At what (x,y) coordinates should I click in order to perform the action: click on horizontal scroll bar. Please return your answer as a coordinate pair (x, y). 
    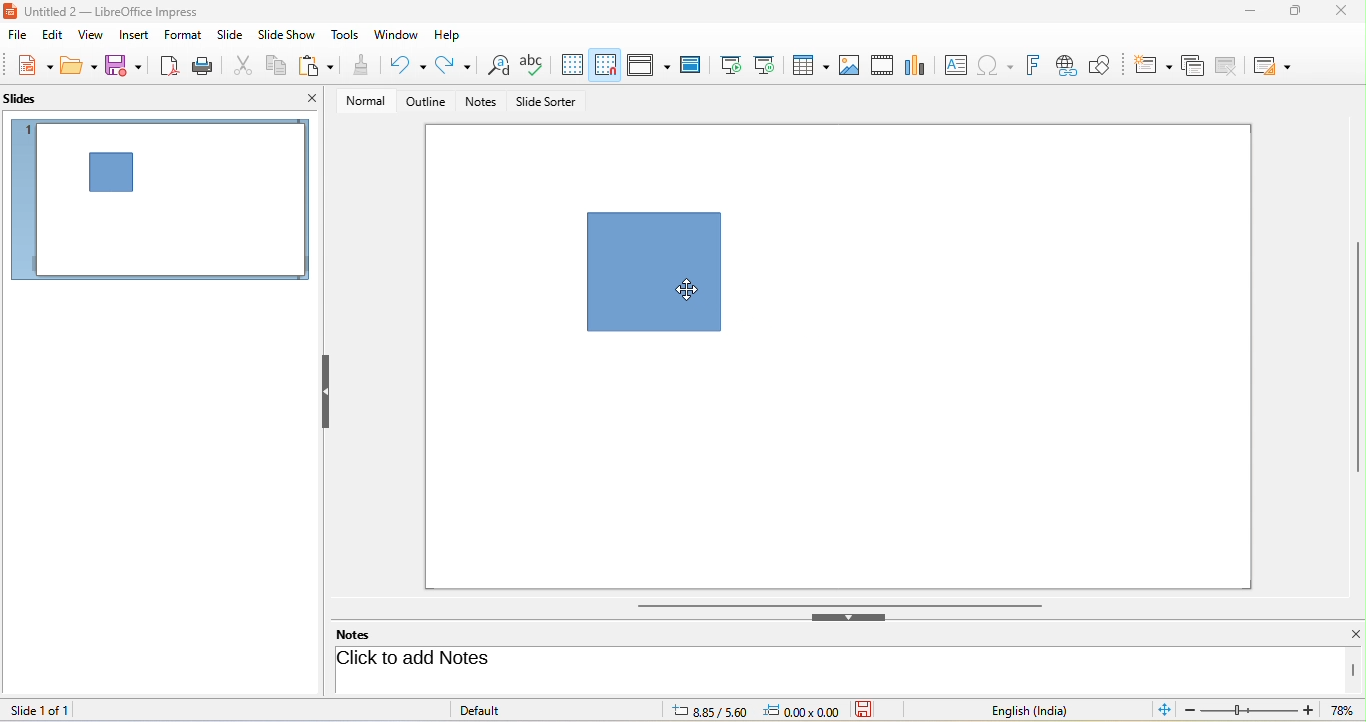
    Looking at the image, I should click on (839, 604).